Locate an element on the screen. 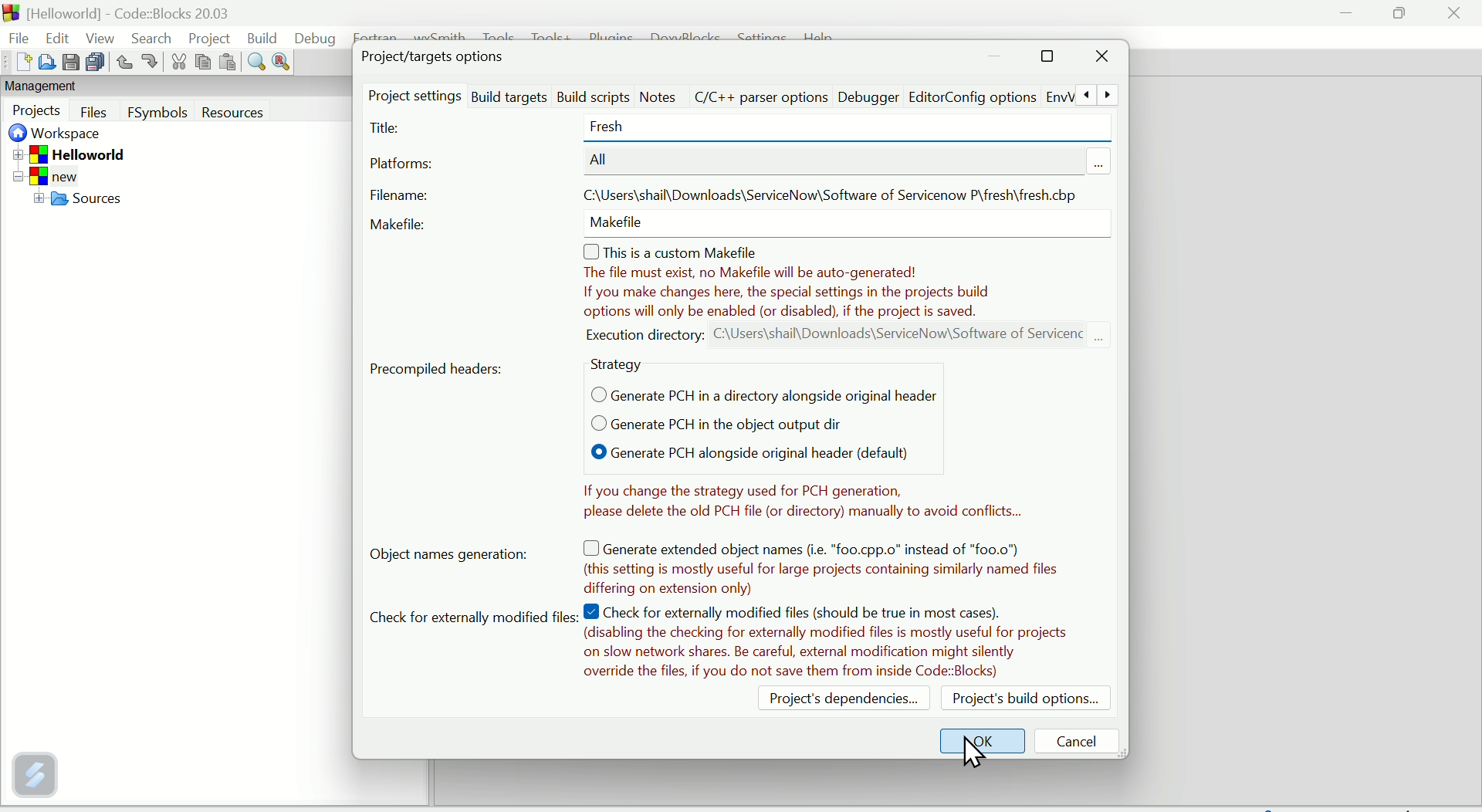 This screenshot has width=1482, height=812. make file is located at coordinates (620, 227).